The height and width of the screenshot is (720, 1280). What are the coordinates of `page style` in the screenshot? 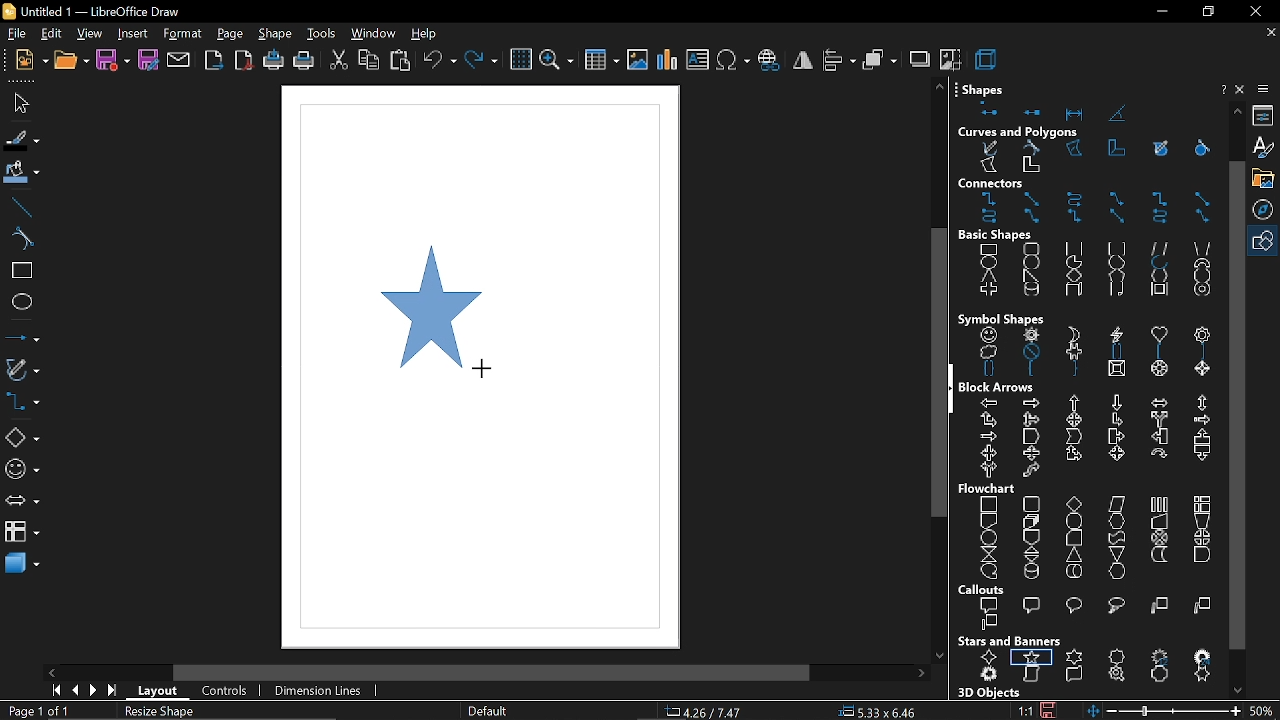 It's located at (487, 712).